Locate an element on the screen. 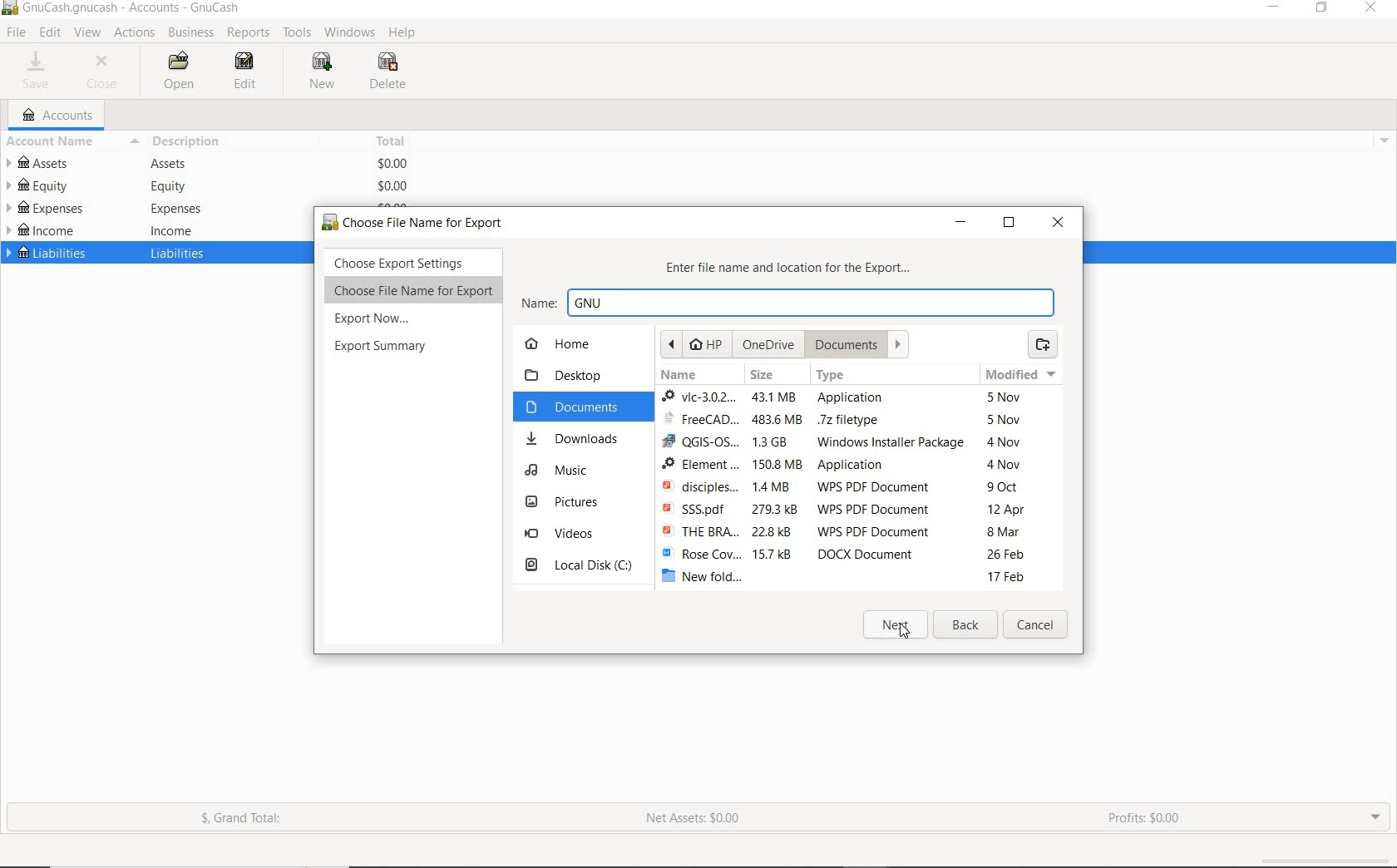  $0.00 is located at coordinates (392, 162).